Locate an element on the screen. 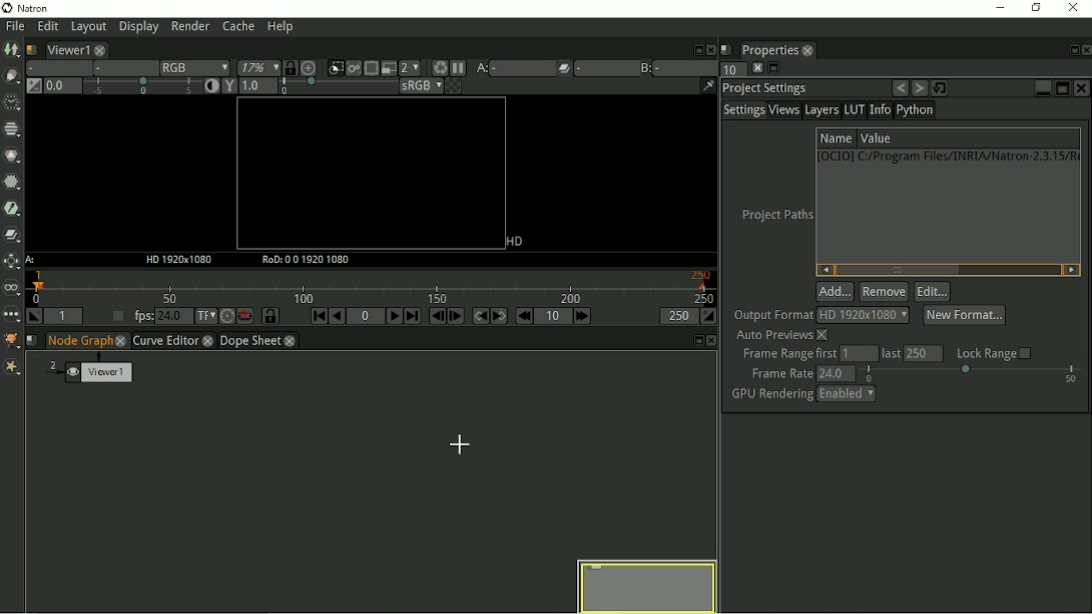 The image size is (1092, 614). Python is located at coordinates (918, 112).